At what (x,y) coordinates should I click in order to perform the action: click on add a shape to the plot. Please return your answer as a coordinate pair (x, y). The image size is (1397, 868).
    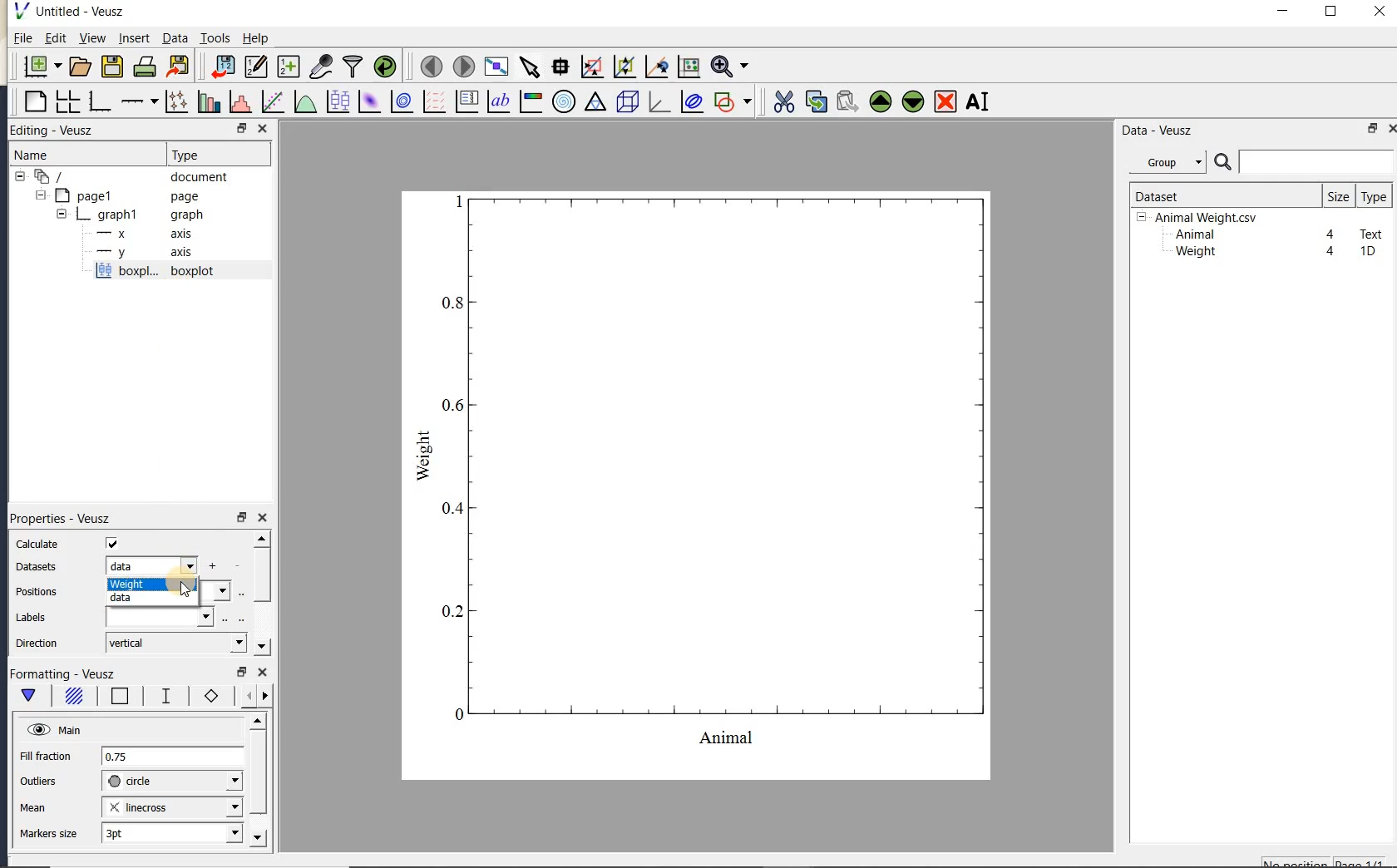
    Looking at the image, I should click on (732, 101).